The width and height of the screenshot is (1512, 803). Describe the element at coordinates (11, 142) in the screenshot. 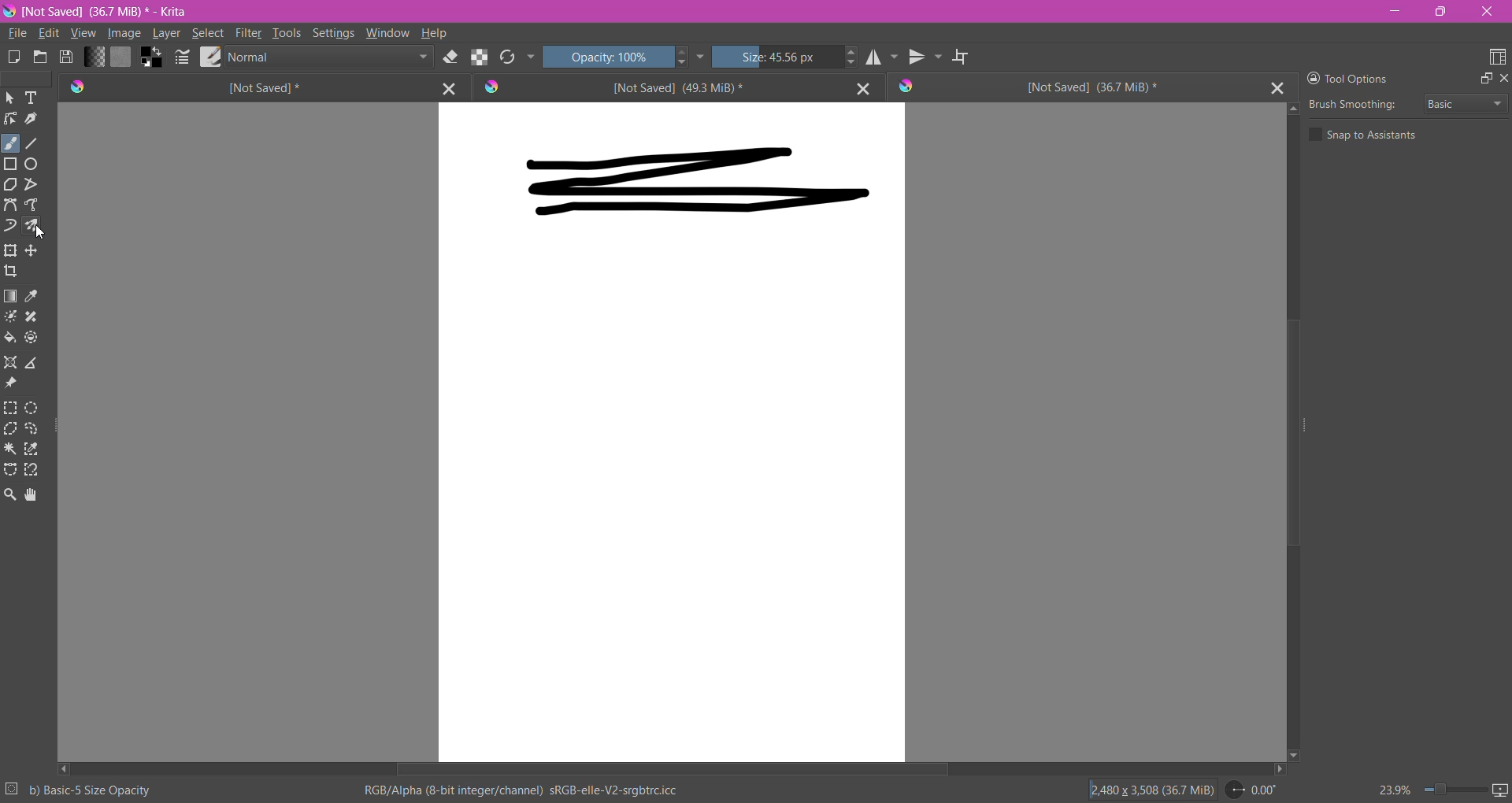

I see `Freehand Brush Tool` at that location.